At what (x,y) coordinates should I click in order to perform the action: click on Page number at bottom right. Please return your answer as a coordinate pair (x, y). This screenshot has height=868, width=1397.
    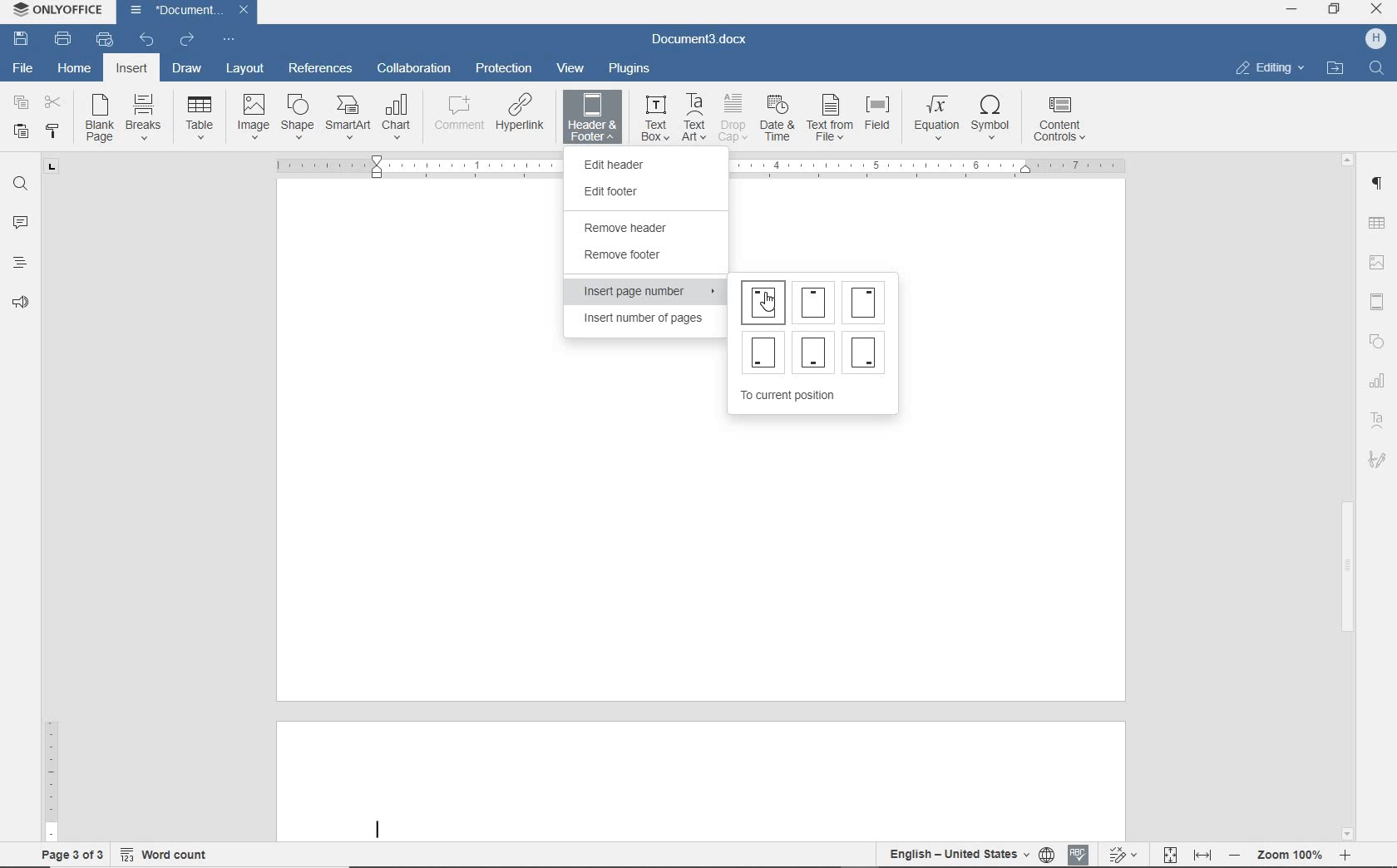
    Looking at the image, I should click on (867, 352).